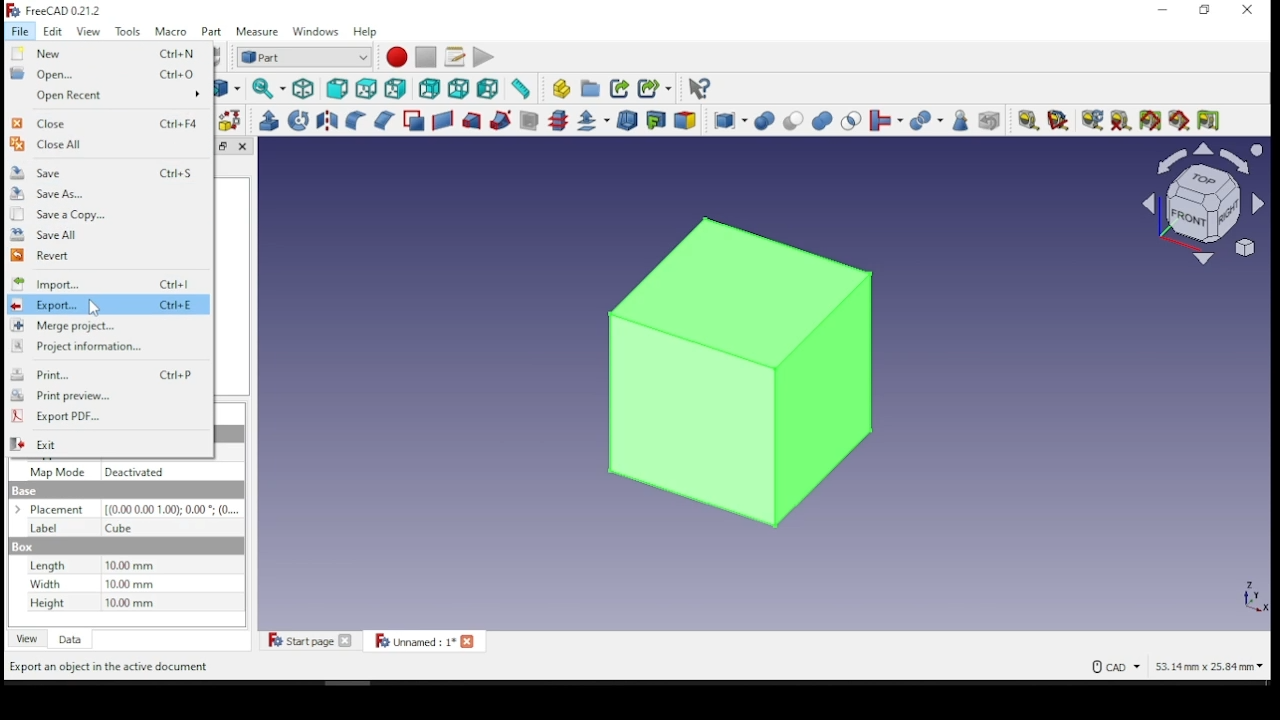 This screenshot has height=720, width=1280. Describe the element at coordinates (621, 90) in the screenshot. I see `make link` at that location.